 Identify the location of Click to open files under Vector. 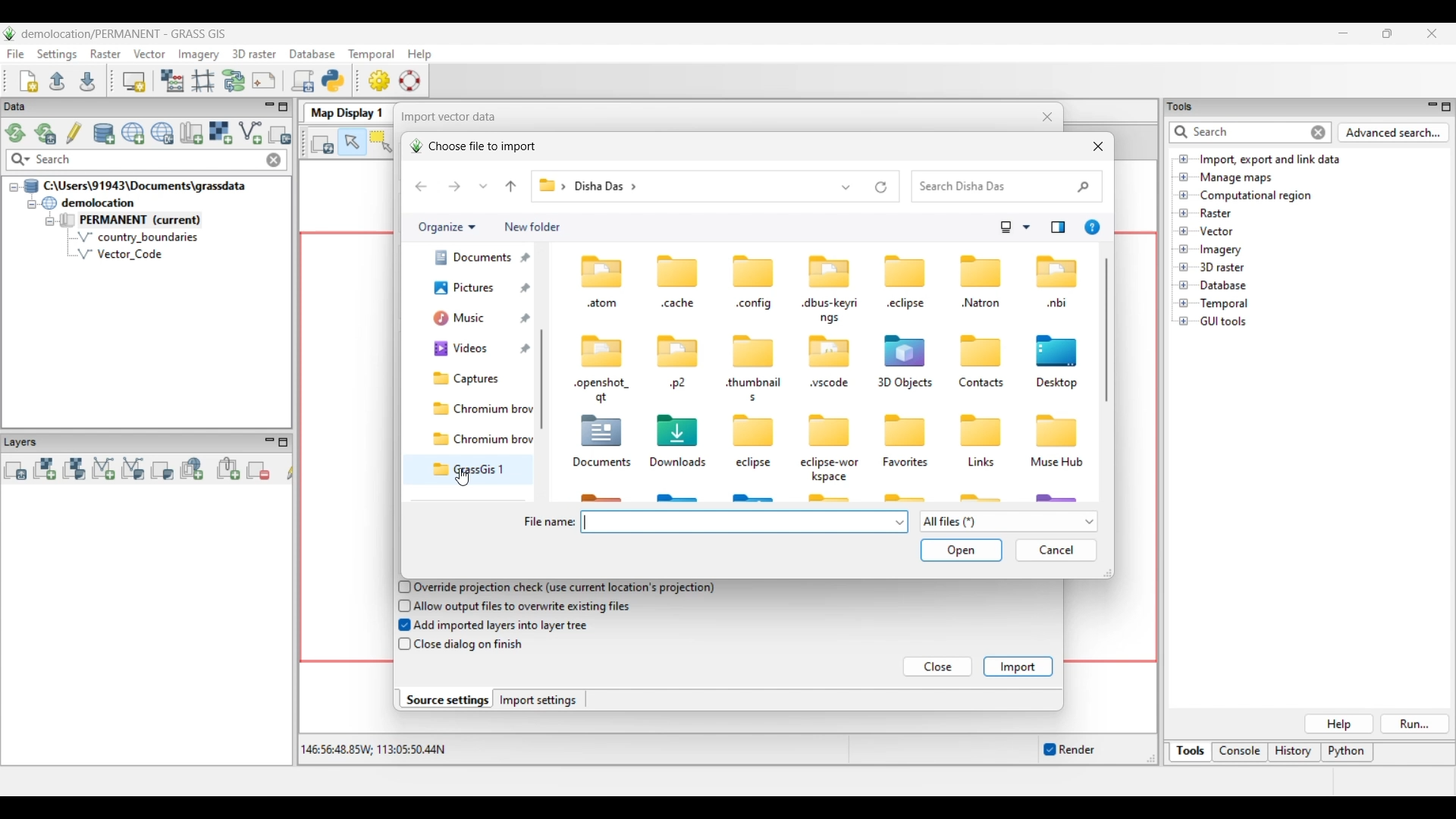
(1184, 231).